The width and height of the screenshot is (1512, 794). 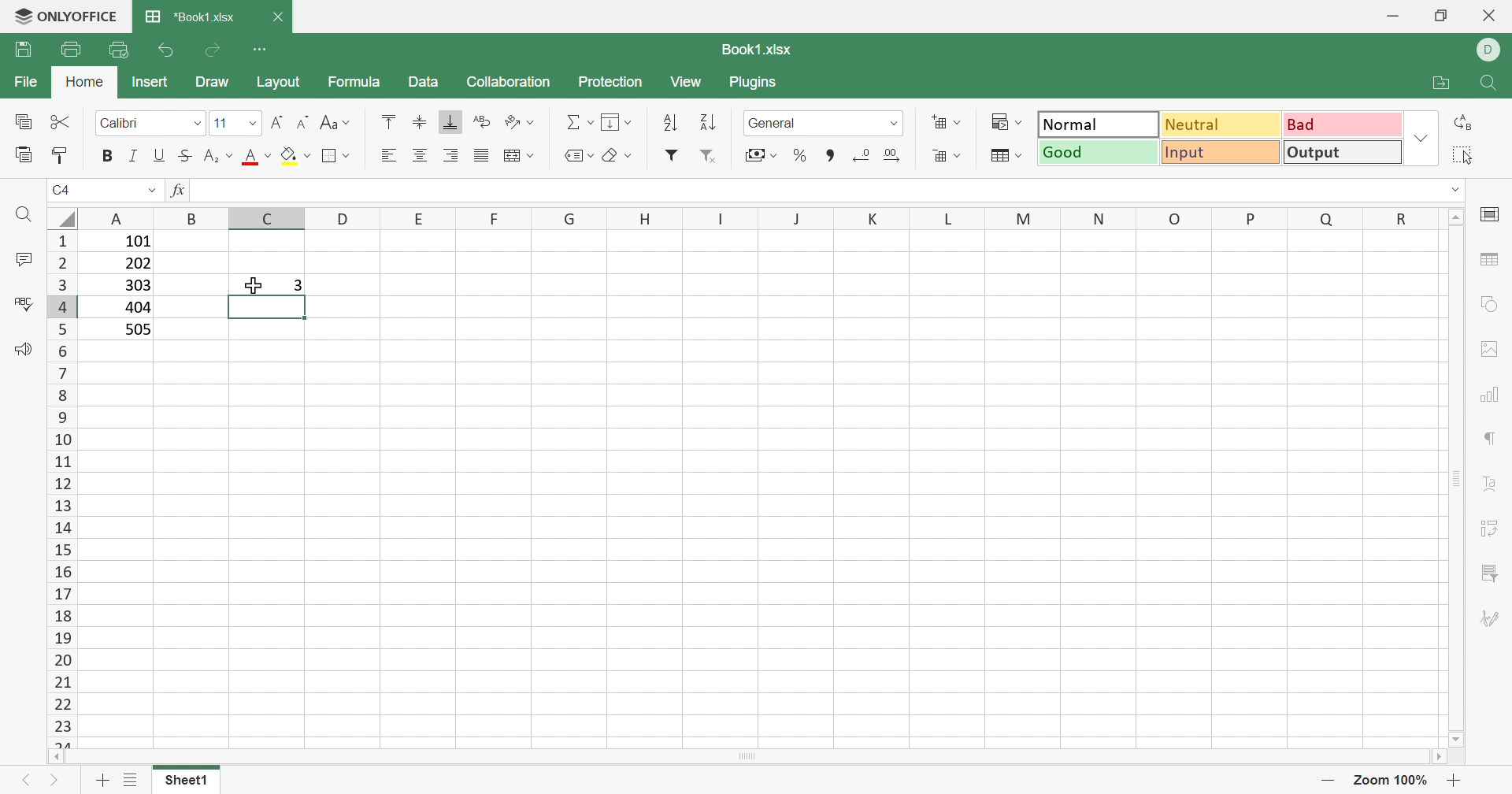 I want to click on Pivot table settings, so click(x=1496, y=532).